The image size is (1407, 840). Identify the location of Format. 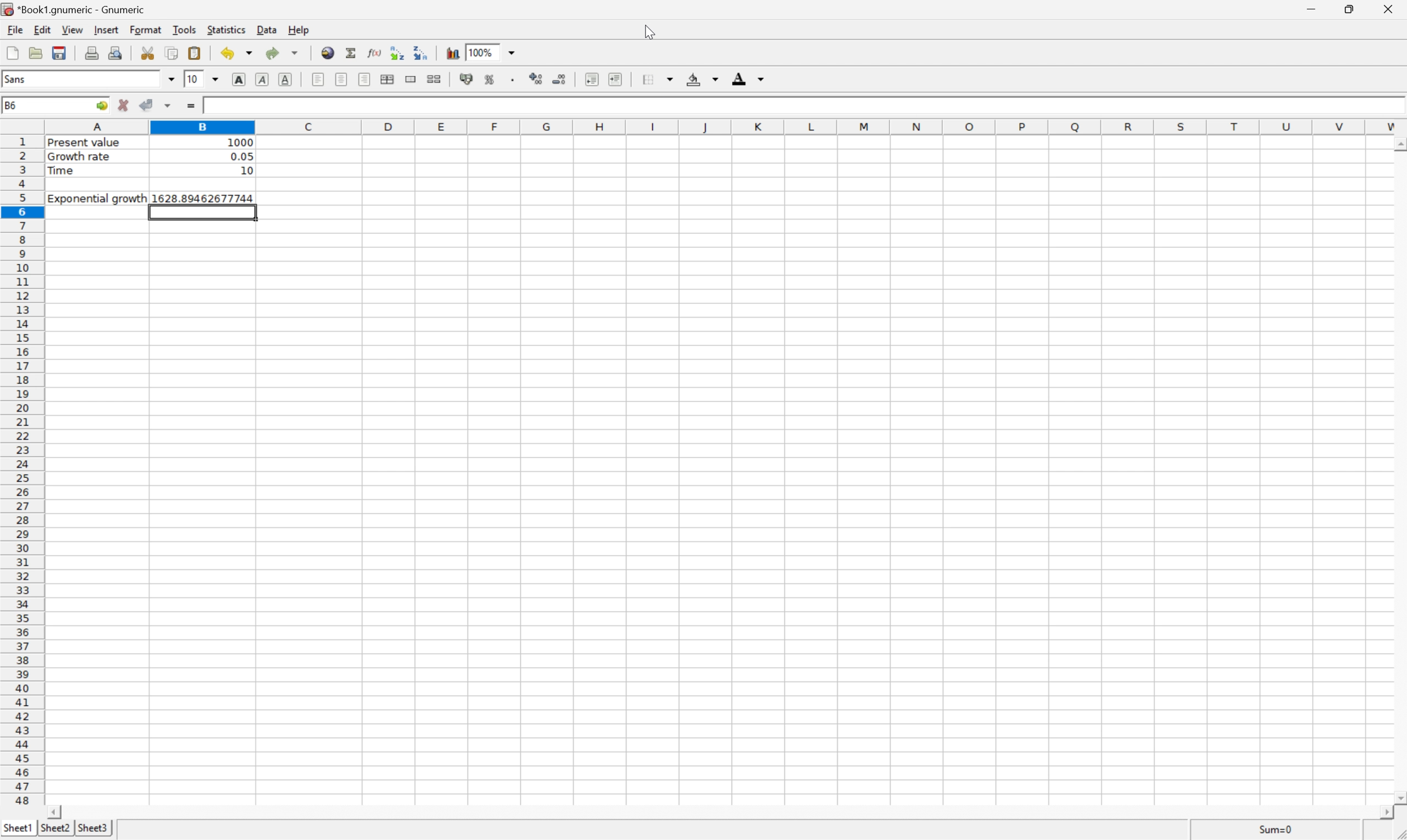
(144, 29).